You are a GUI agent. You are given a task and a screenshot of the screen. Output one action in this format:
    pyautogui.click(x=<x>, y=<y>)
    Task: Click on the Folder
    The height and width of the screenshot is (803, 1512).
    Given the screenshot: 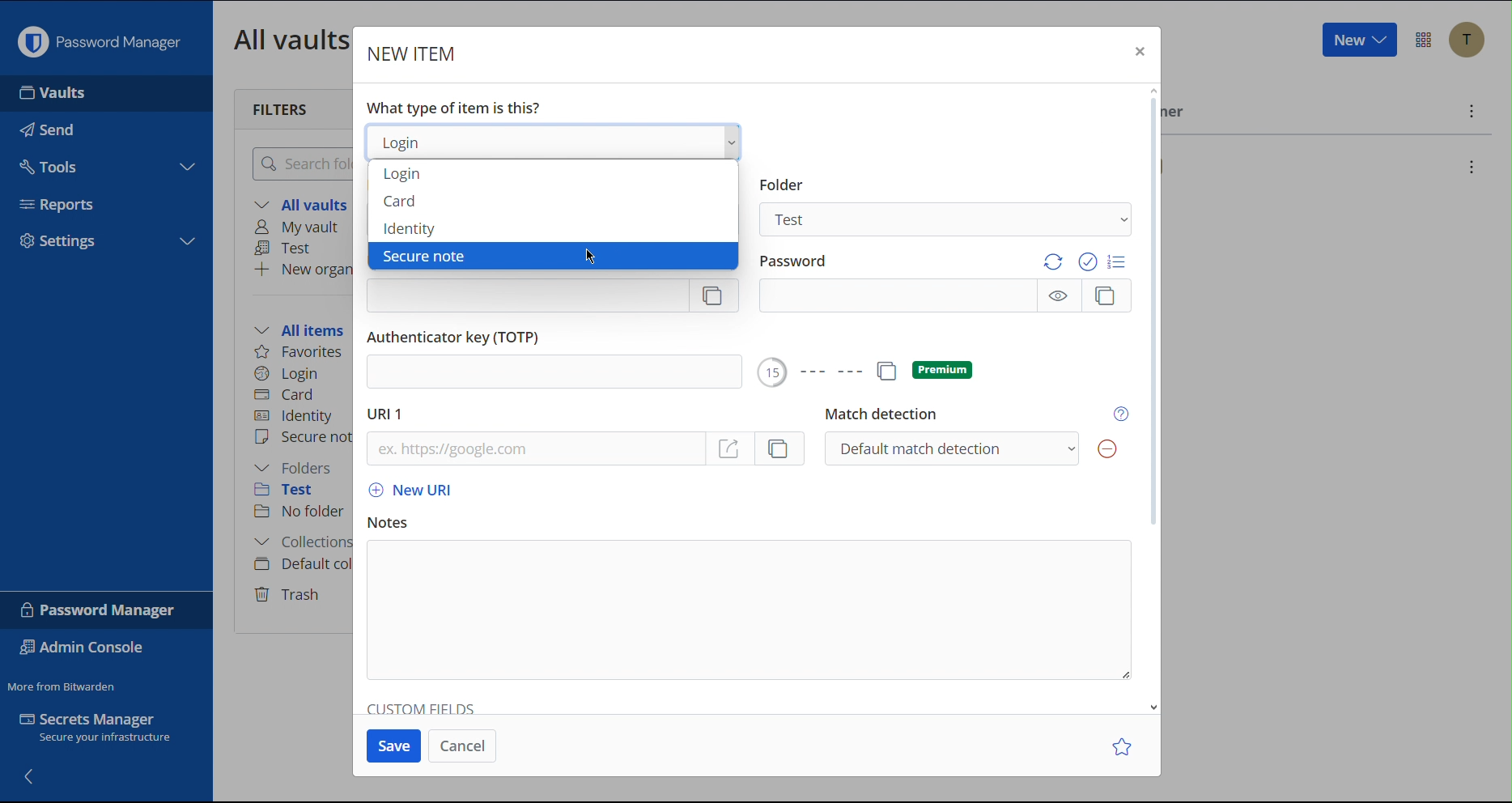 What is the action you would take?
    pyautogui.click(x=781, y=185)
    